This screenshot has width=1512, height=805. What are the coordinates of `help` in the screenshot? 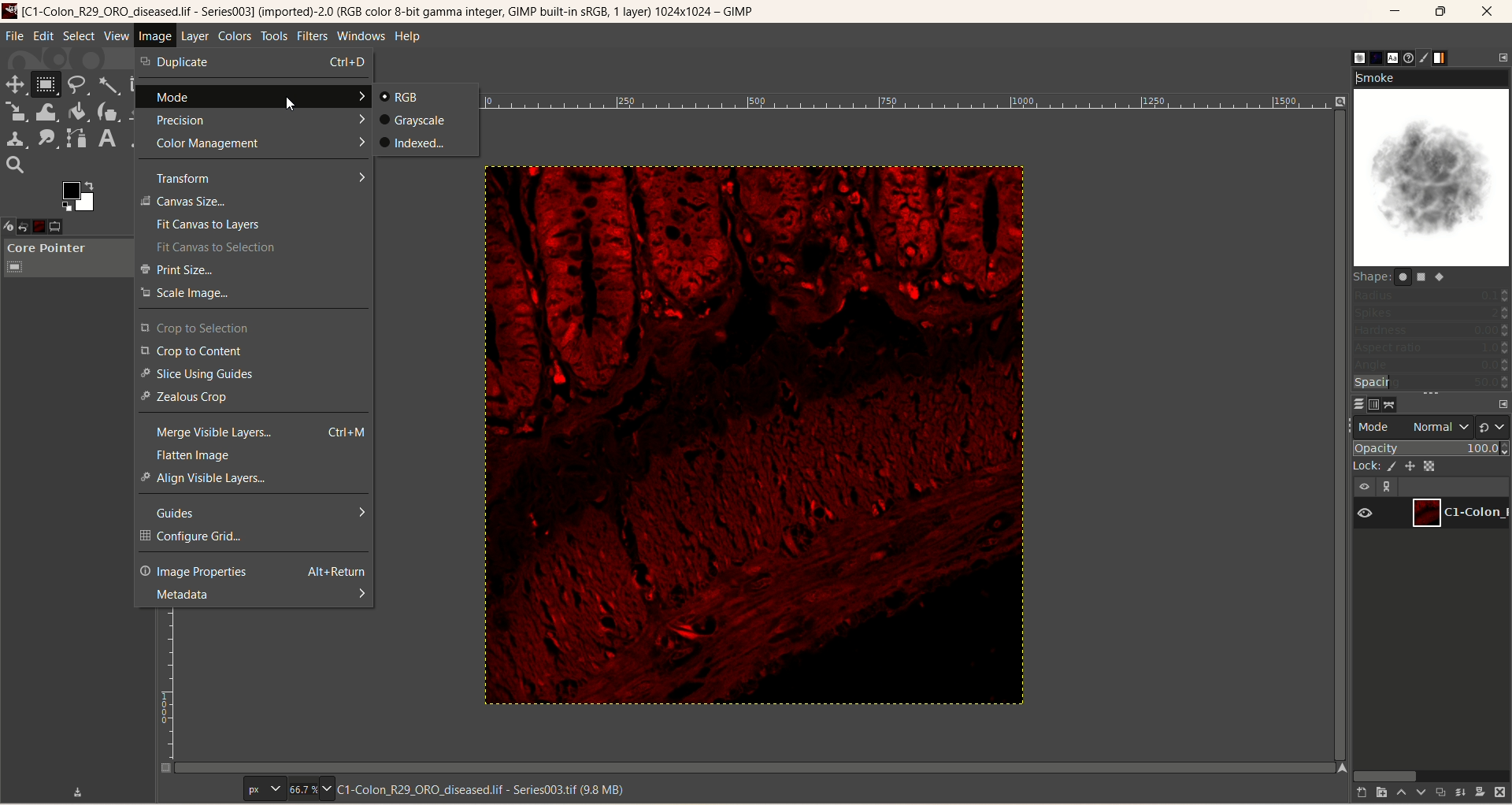 It's located at (410, 36).